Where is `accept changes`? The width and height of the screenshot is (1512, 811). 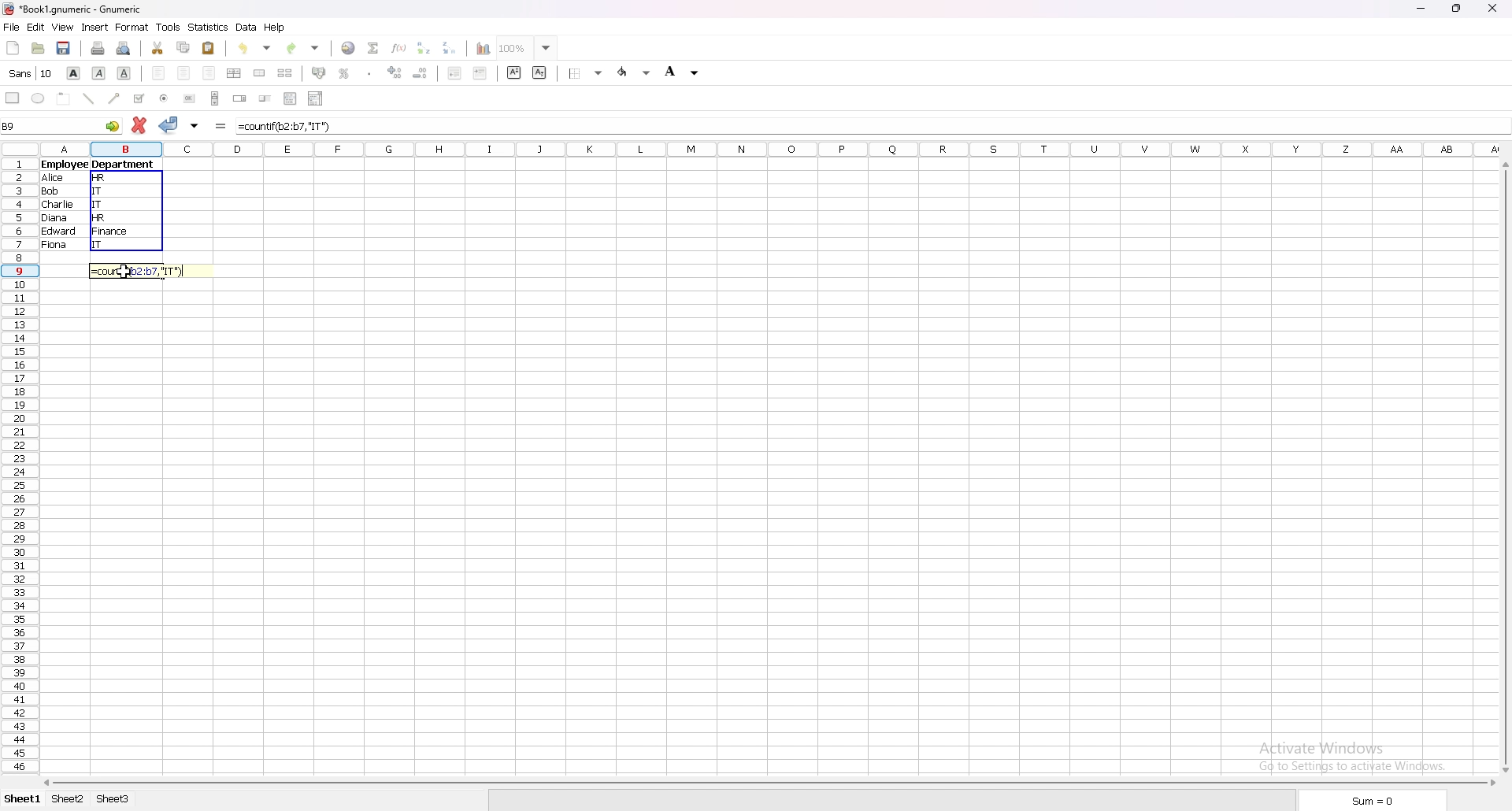 accept changes is located at coordinates (169, 125).